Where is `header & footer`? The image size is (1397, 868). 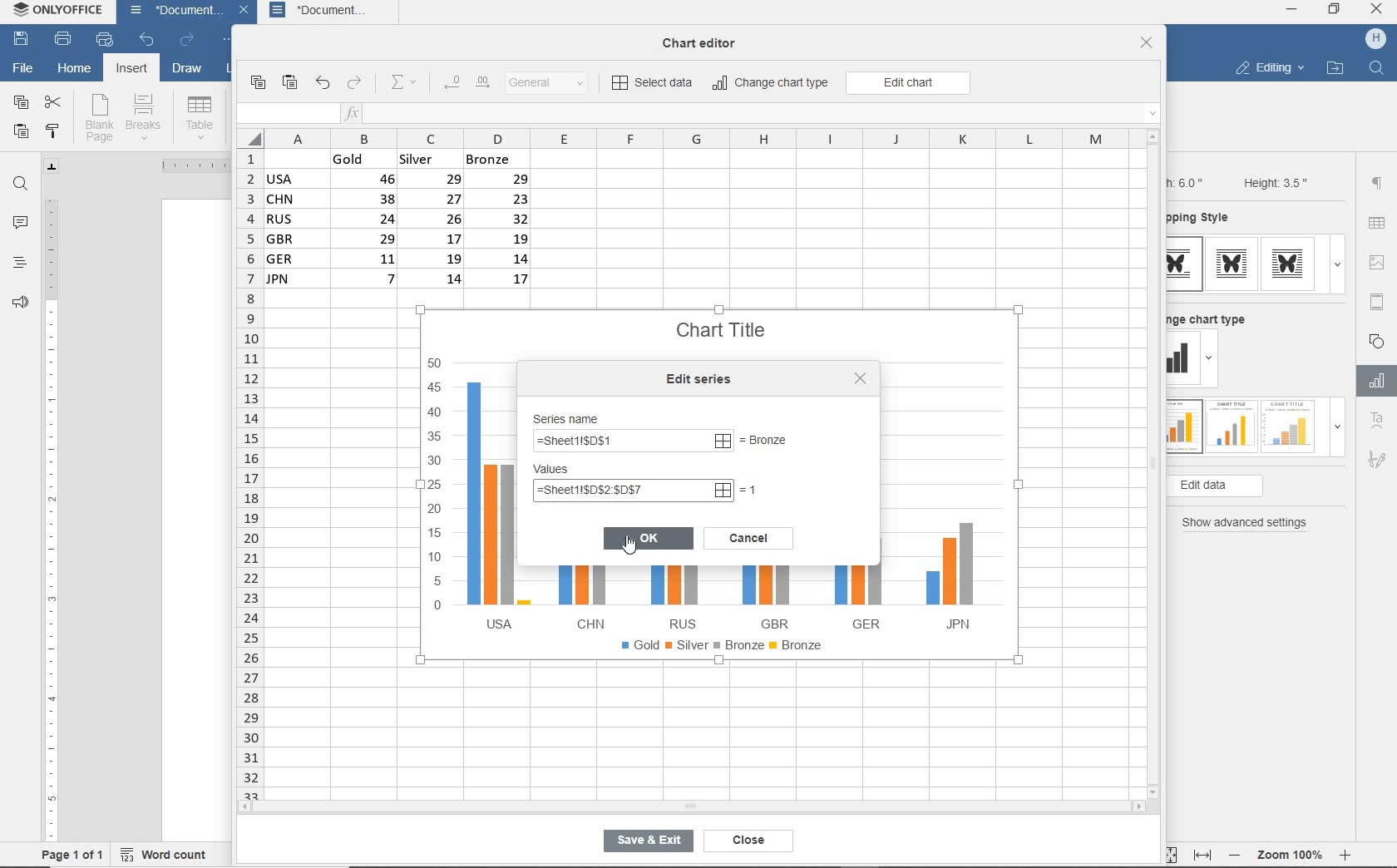 header & footer is located at coordinates (1376, 301).